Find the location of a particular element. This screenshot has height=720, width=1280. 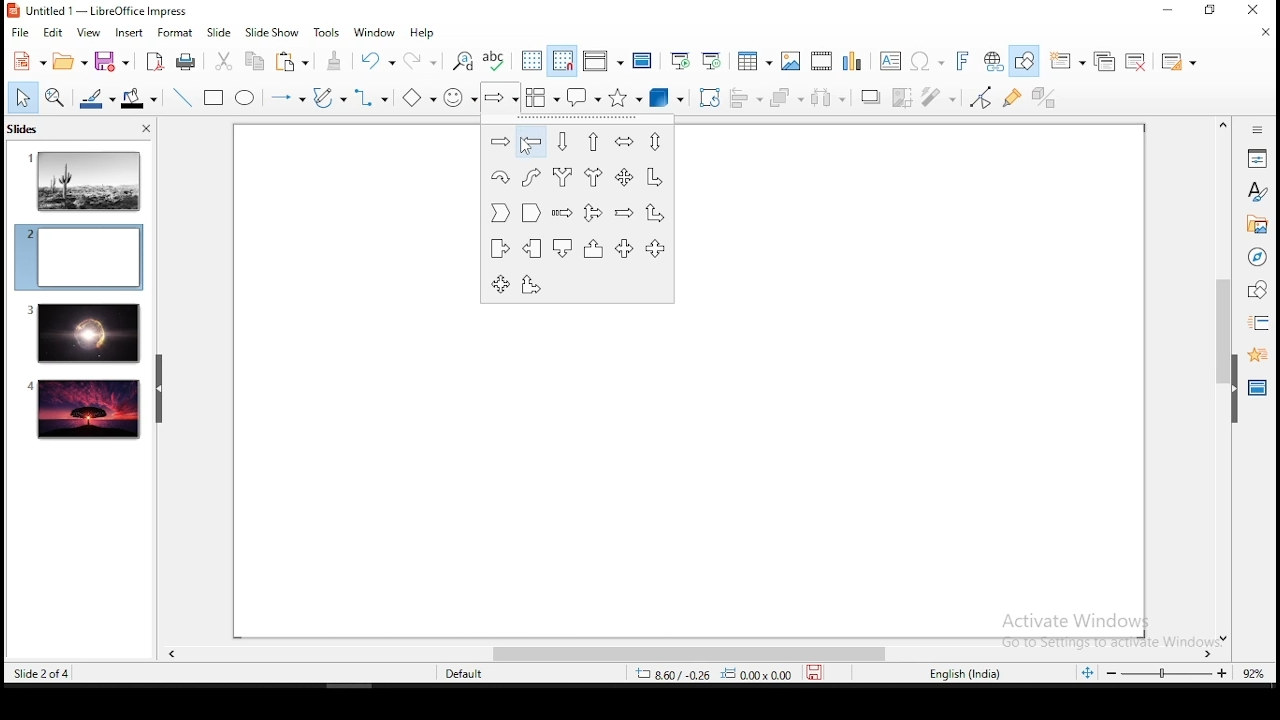

slide 2 is located at coordinates (78, 257).